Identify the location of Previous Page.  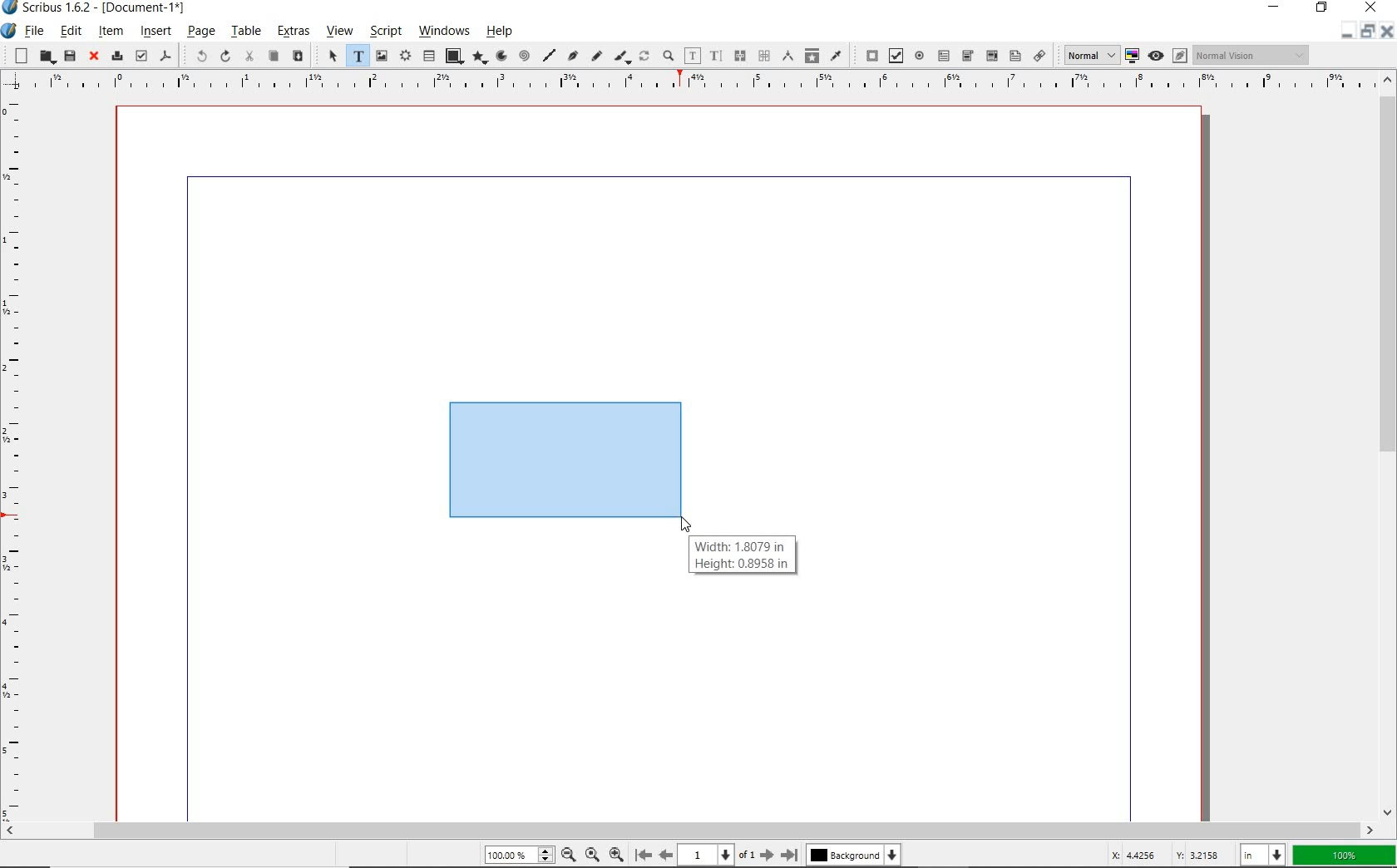
(667, 856).